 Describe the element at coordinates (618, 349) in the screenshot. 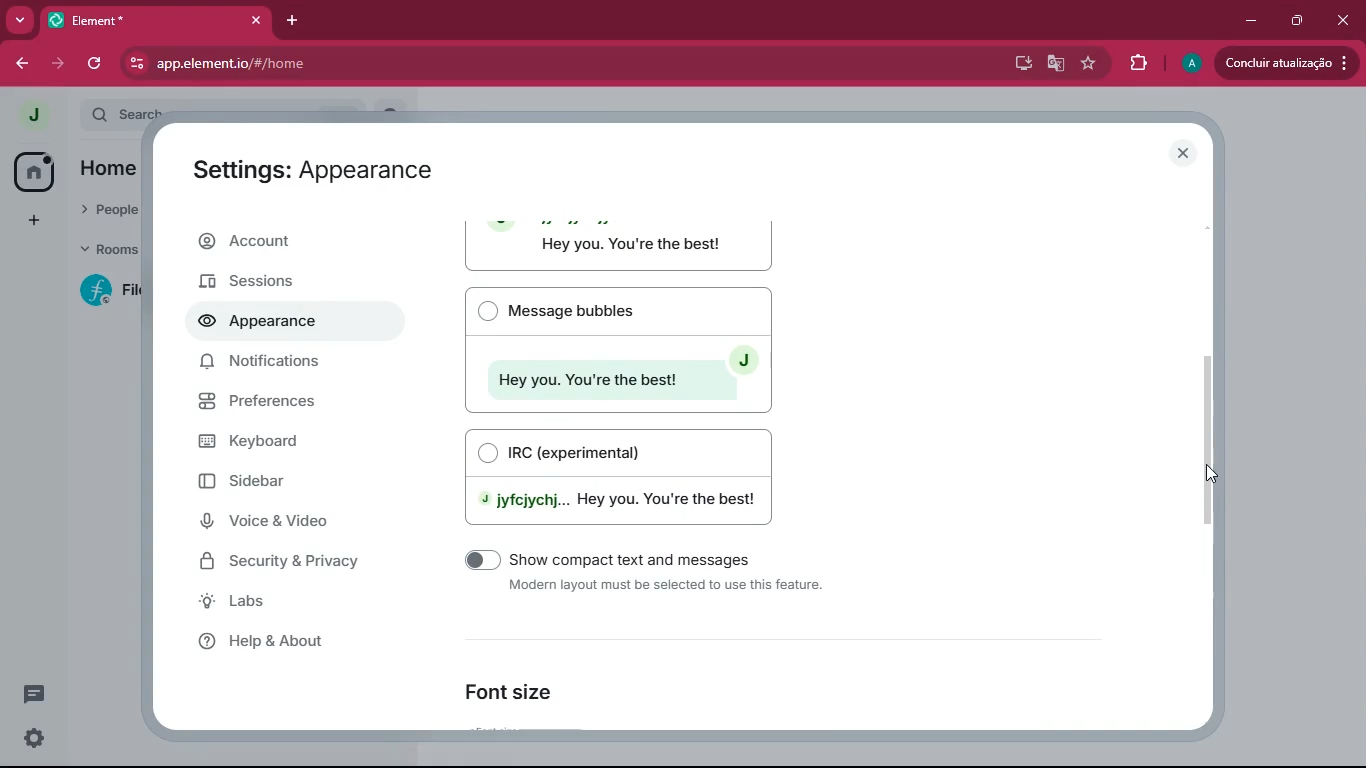

I see `Message bubbles` at that location.